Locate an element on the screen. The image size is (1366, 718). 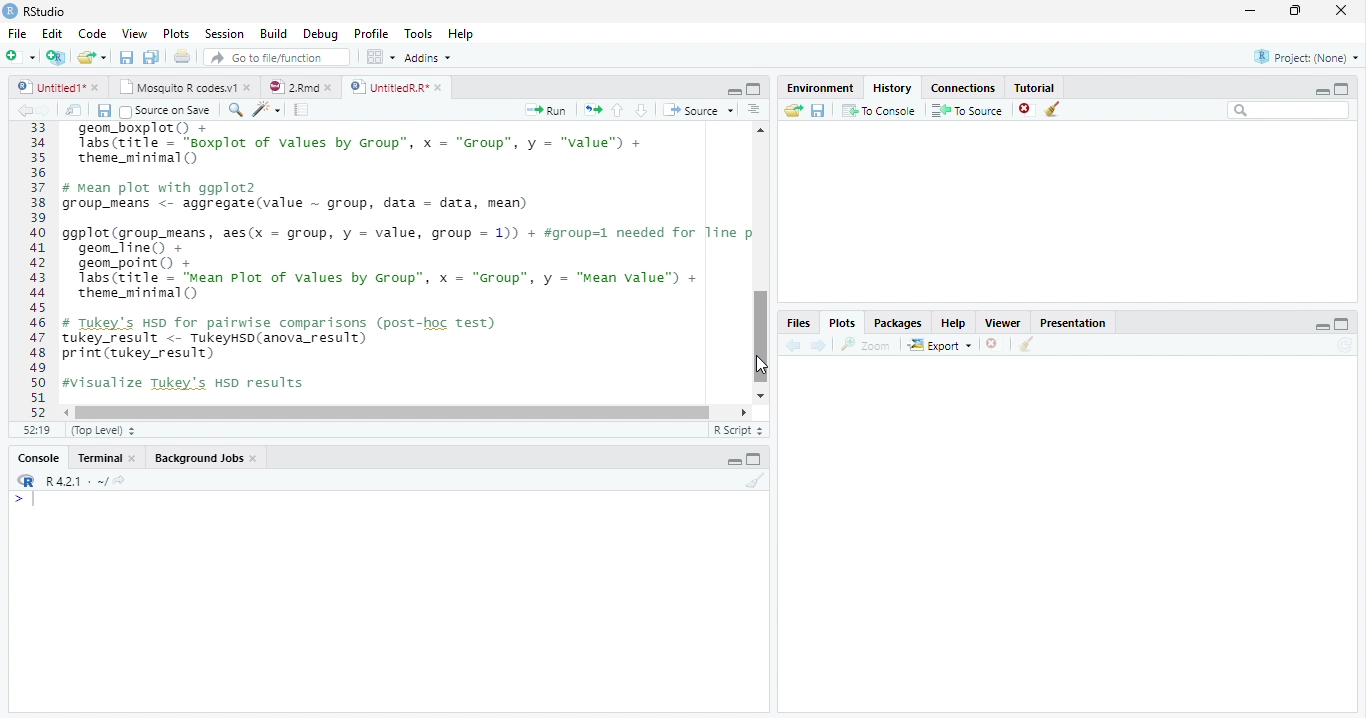
help is located at coordinates (954, 323).